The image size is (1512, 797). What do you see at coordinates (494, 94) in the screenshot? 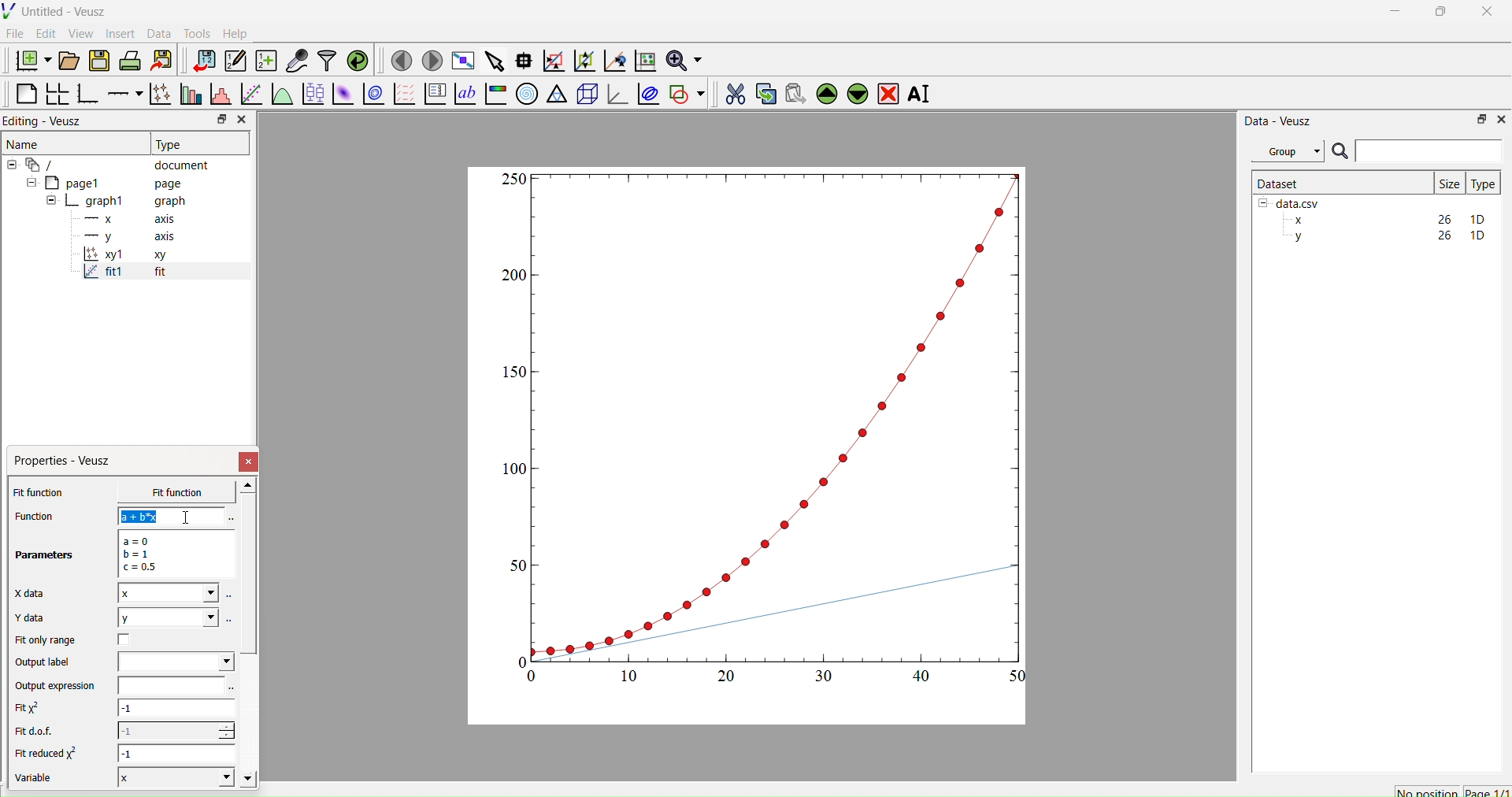
I see `Image color bar` at bounding box center [494, 94].